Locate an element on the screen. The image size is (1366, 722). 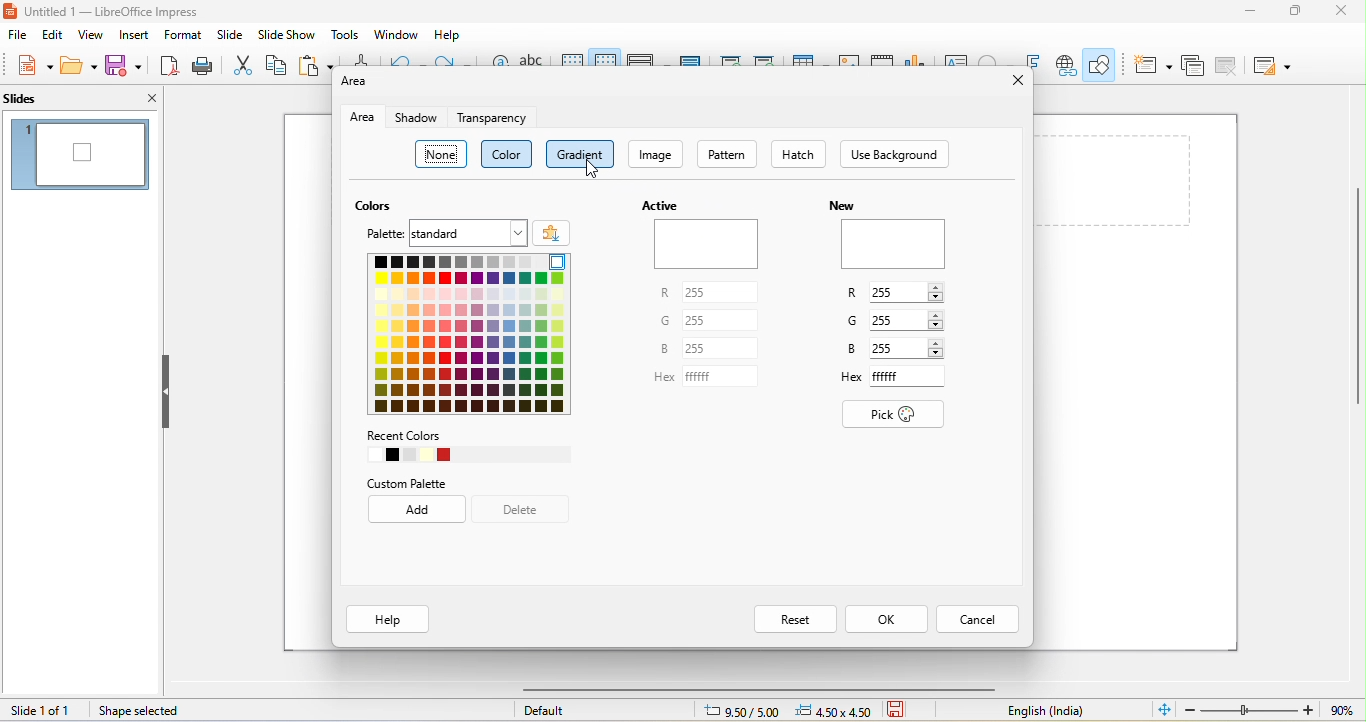
hide is located at coordinates (166, 392).